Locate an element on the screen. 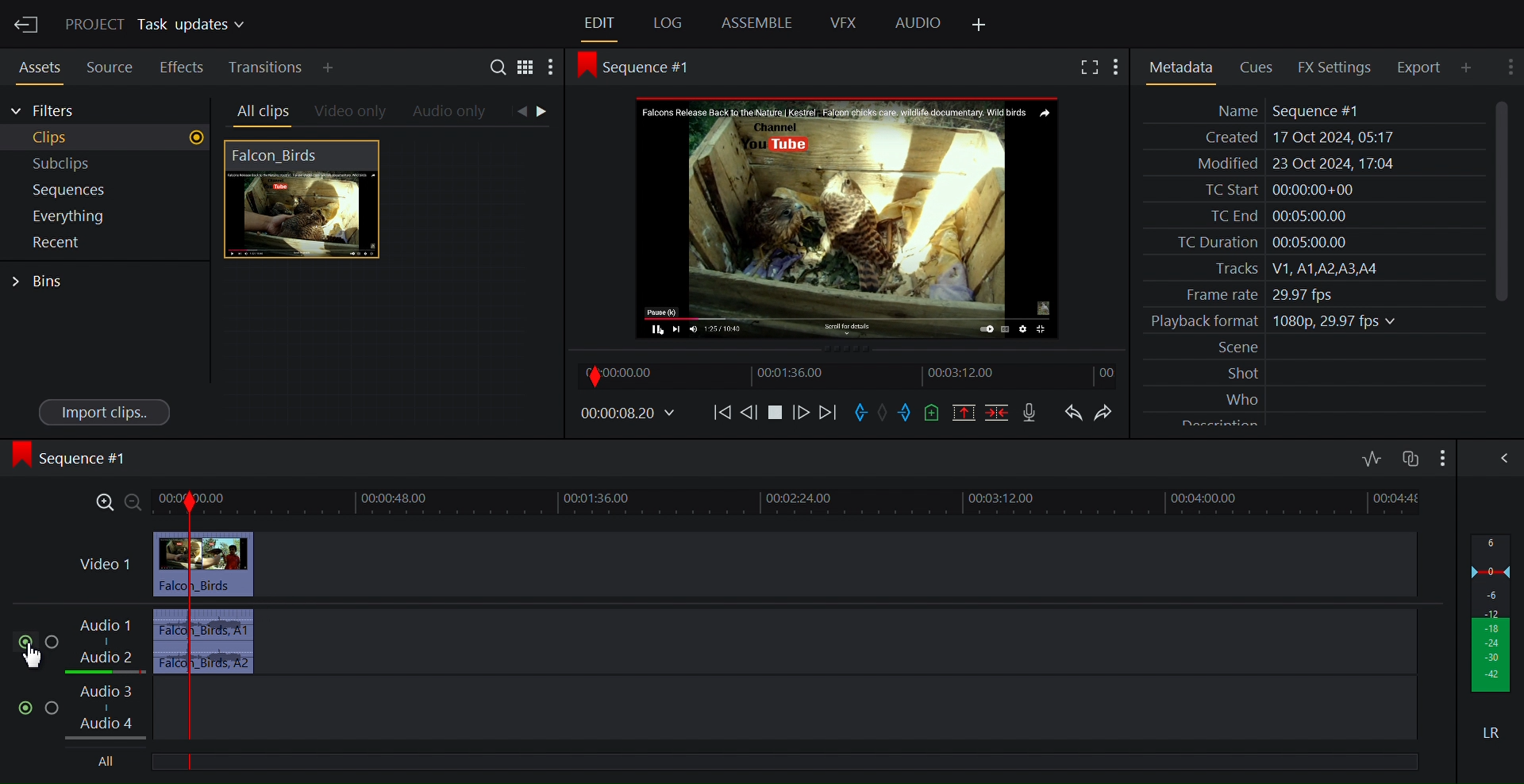 This screenshot has height=784, width=1524. Add a cue is located at coordinates (935, 413).